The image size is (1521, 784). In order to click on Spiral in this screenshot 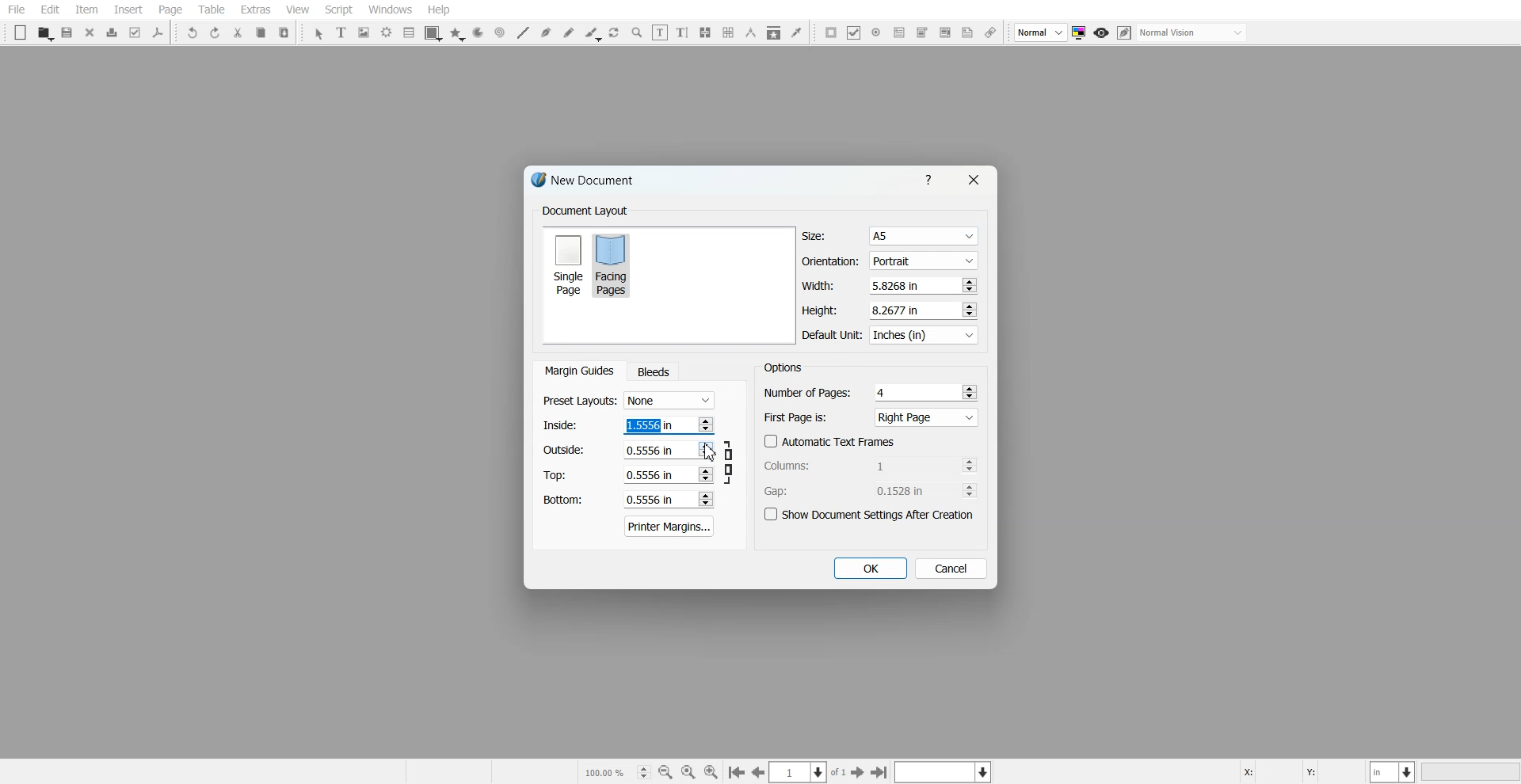, I will do `click(499, 32)`.